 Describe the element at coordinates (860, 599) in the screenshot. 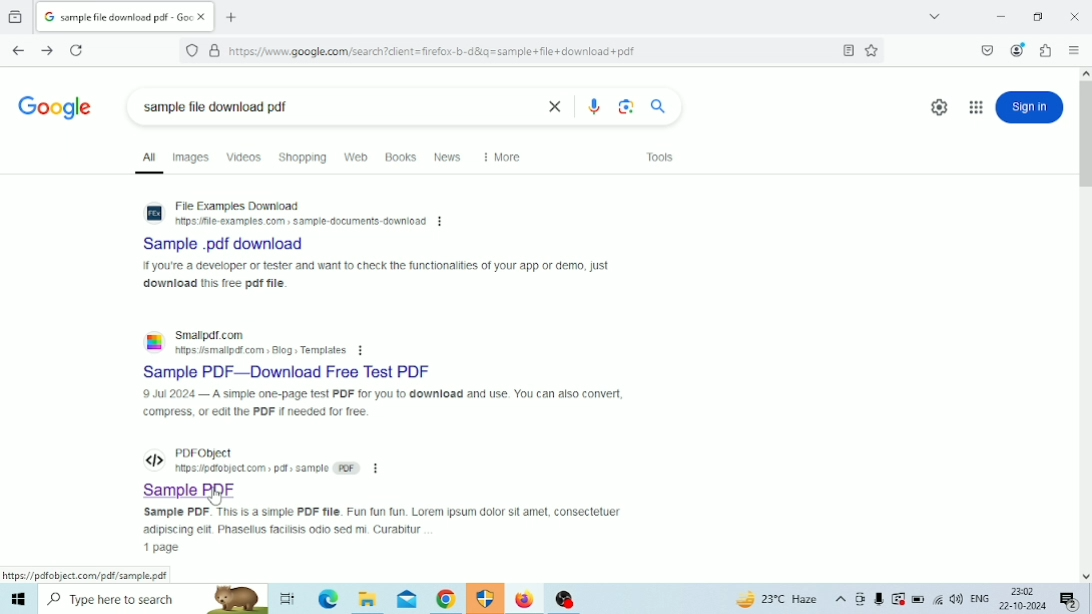

I see `Meet Now` at that location.